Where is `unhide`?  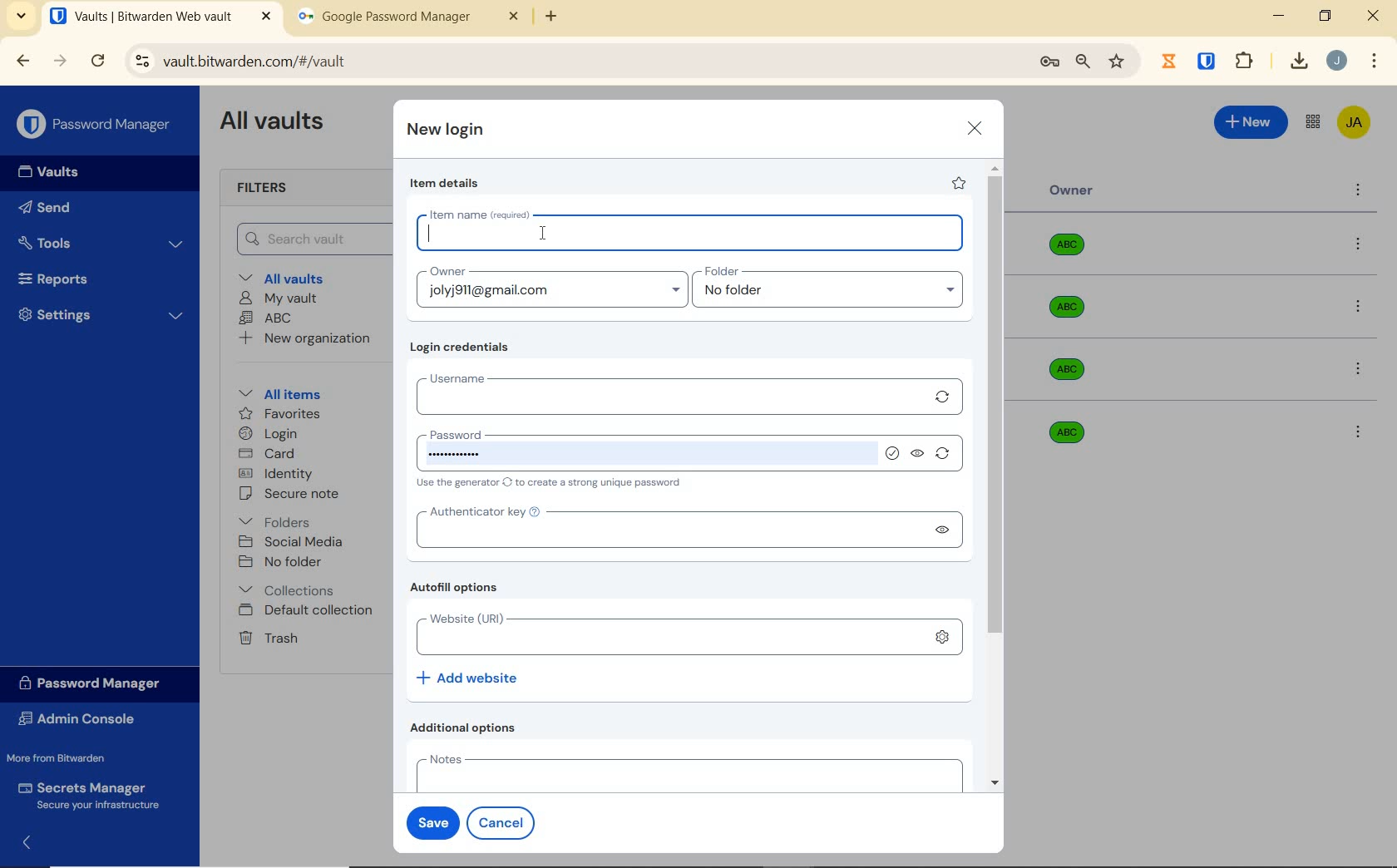 unhide is located at coordinates (919, 455).